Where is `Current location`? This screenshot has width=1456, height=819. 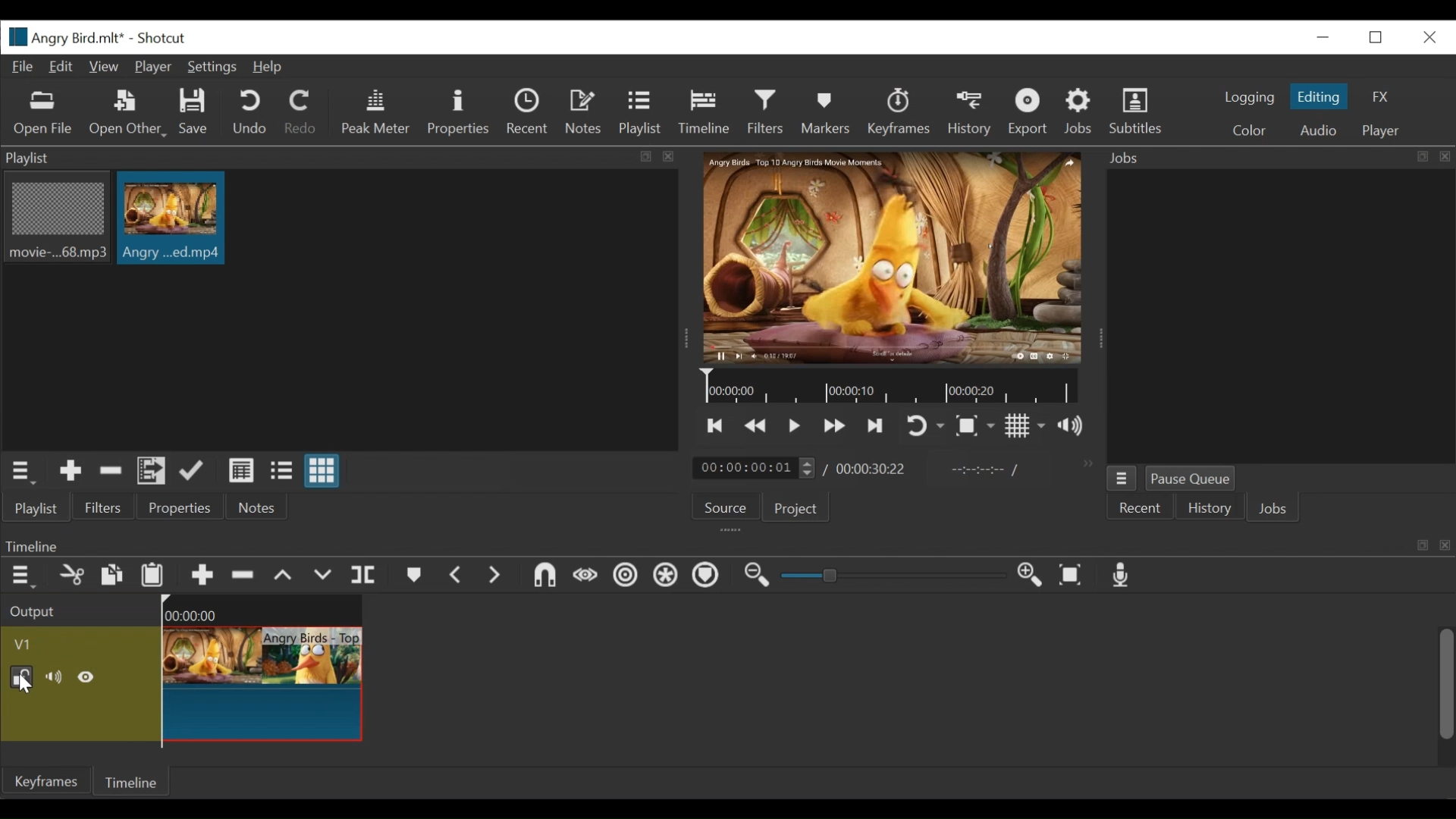 Current location is located at coordinates (756, 468).